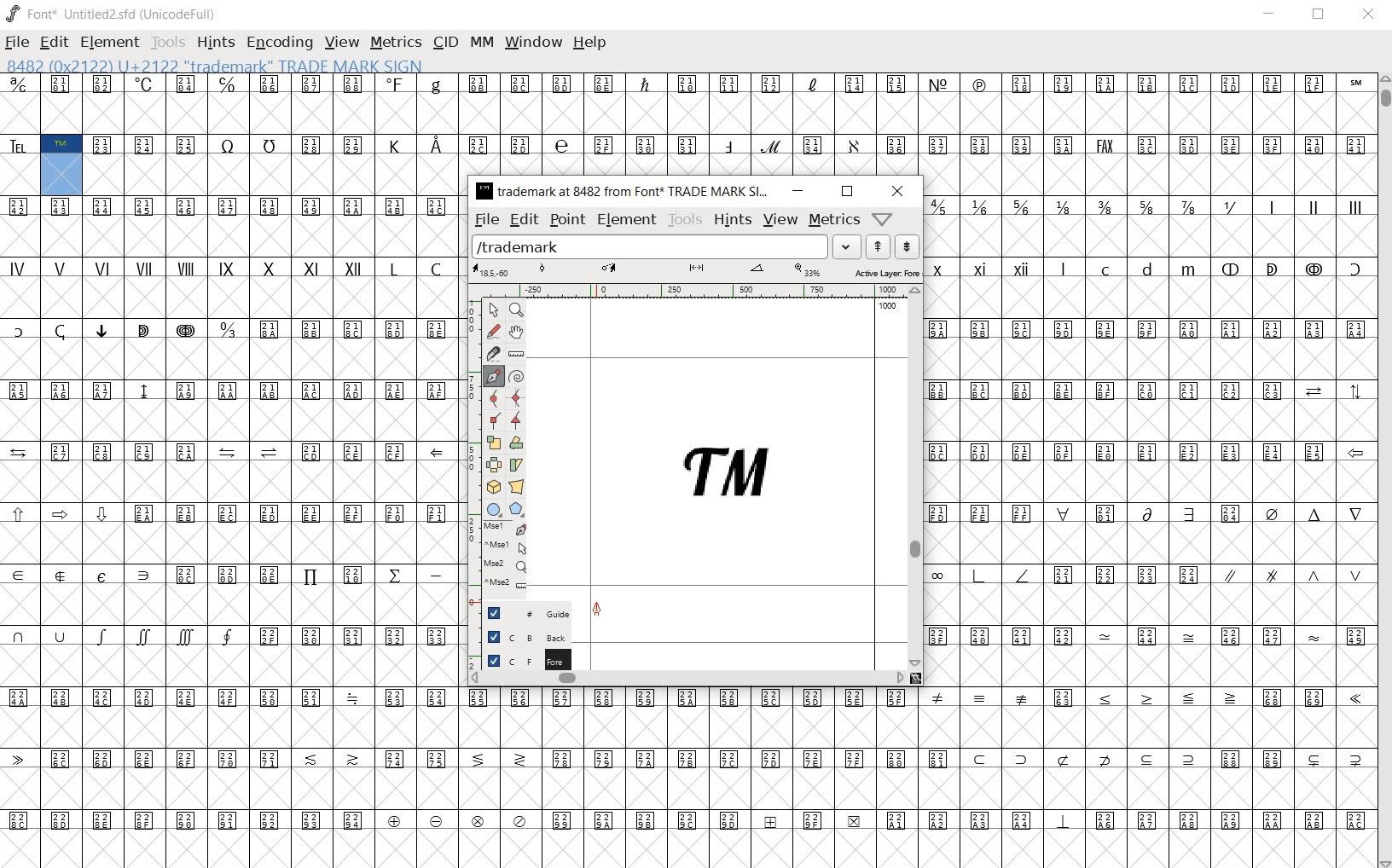 The width and height of the screenshot is (1392, 868). Describe the element at coordinates (229, 286) in the screenshot. I see `roman characters` at that location.